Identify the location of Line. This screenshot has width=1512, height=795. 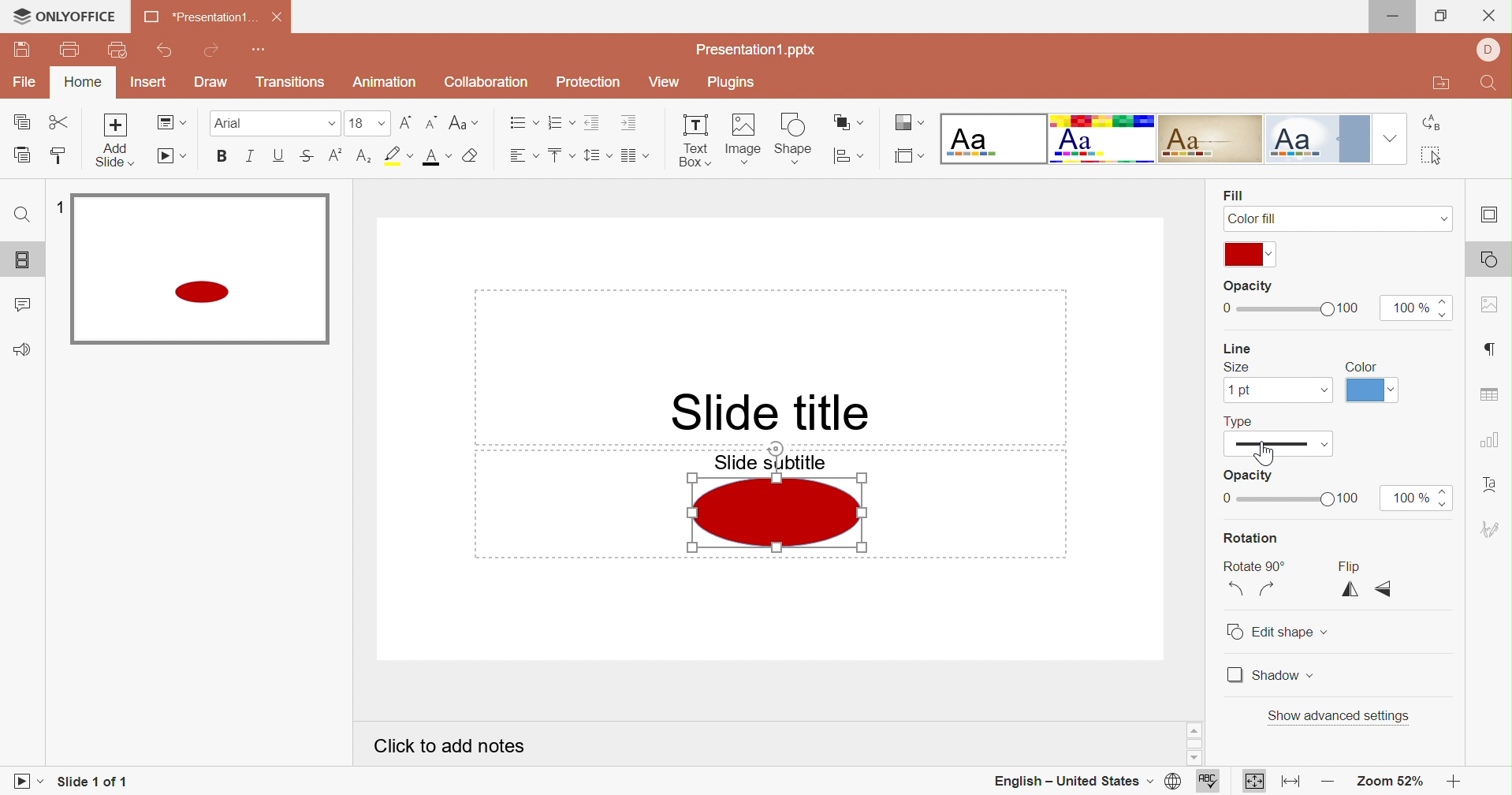
(1237, 349).